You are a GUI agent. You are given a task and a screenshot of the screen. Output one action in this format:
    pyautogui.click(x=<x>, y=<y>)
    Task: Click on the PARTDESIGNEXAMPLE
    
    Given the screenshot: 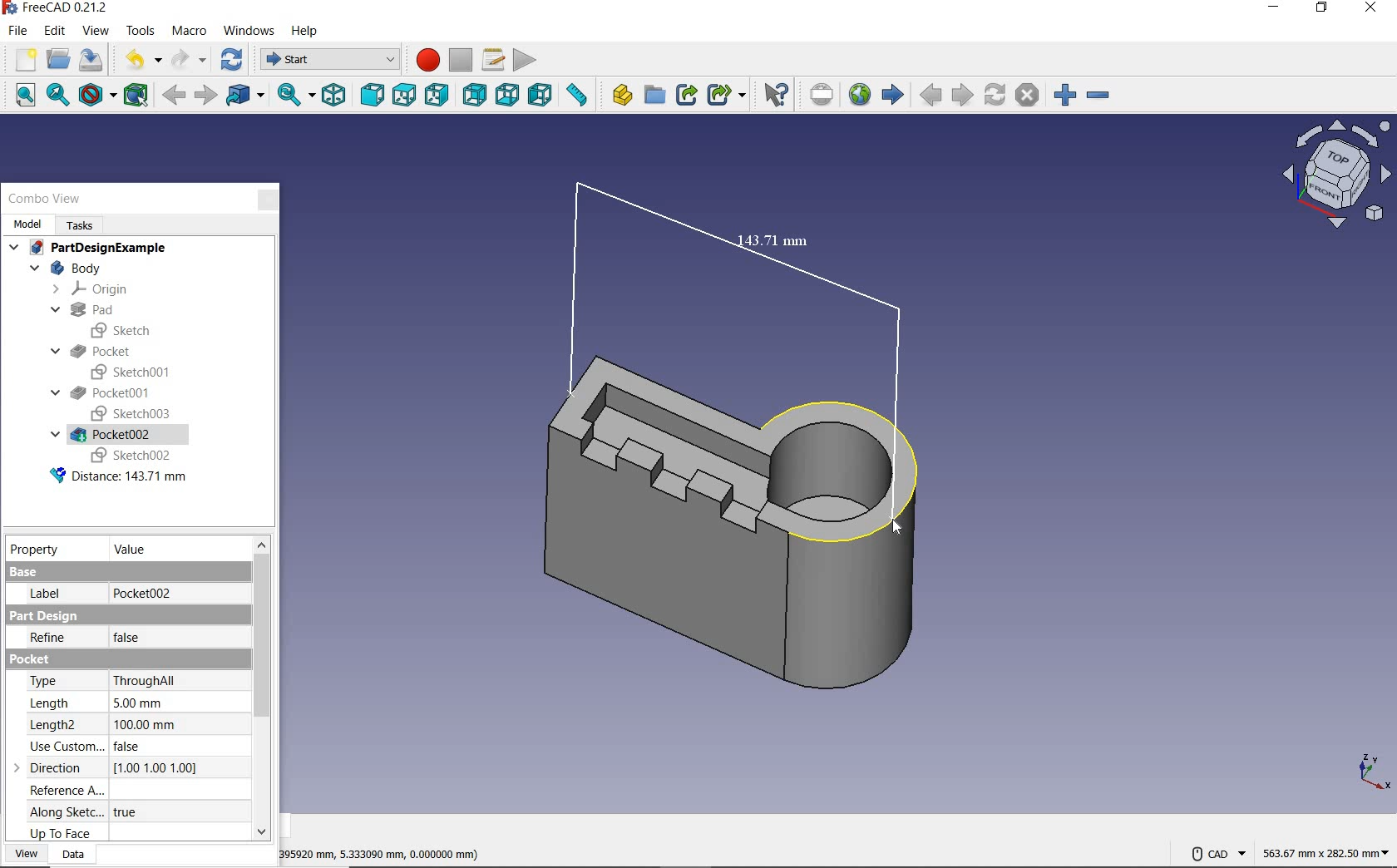 What is the action you would take?
    pyautogui.click(x=90, y=249)
    